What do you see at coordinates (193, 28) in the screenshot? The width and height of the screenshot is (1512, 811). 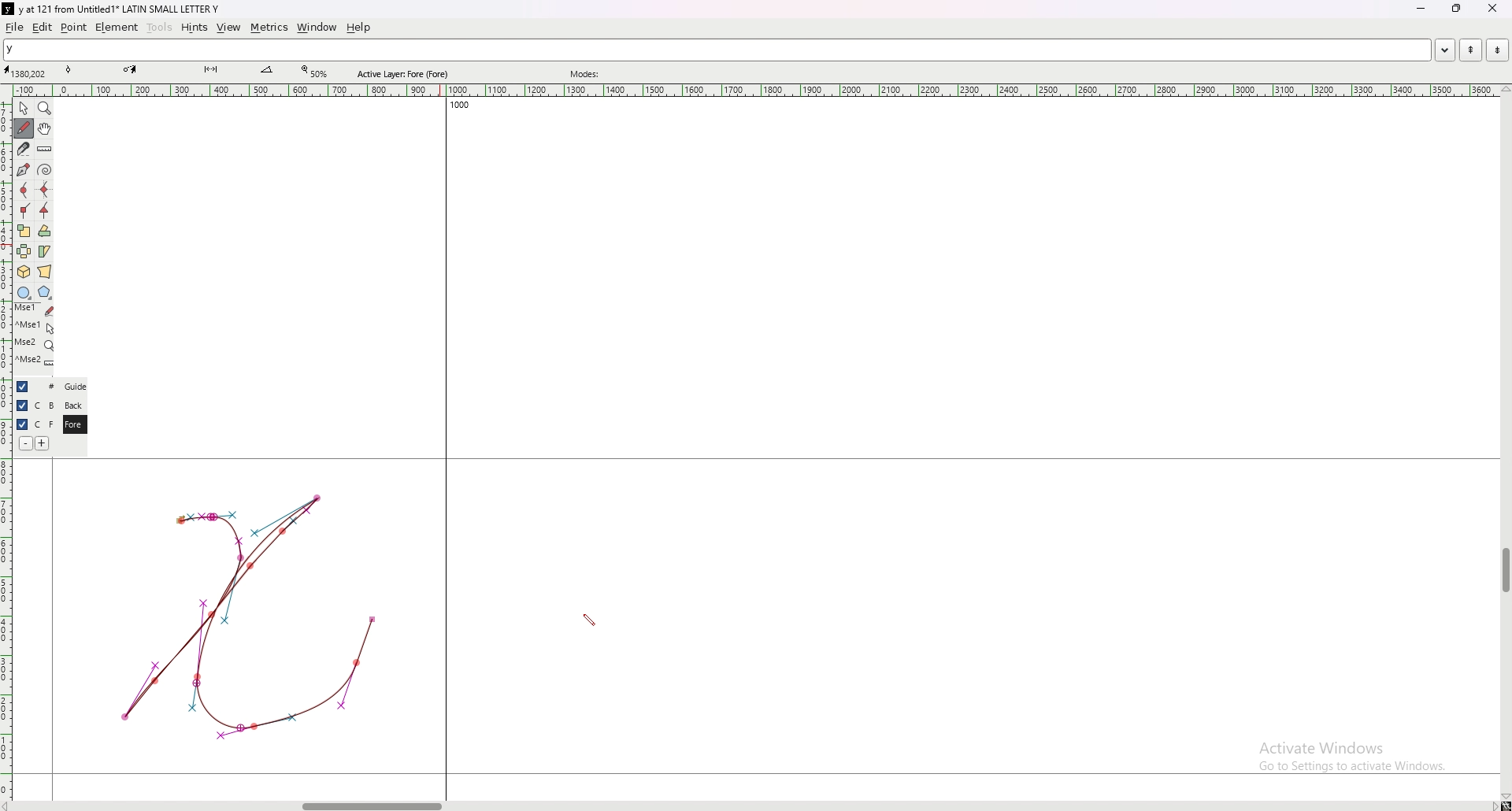 I see `hints` at bounding box center [193, 28].